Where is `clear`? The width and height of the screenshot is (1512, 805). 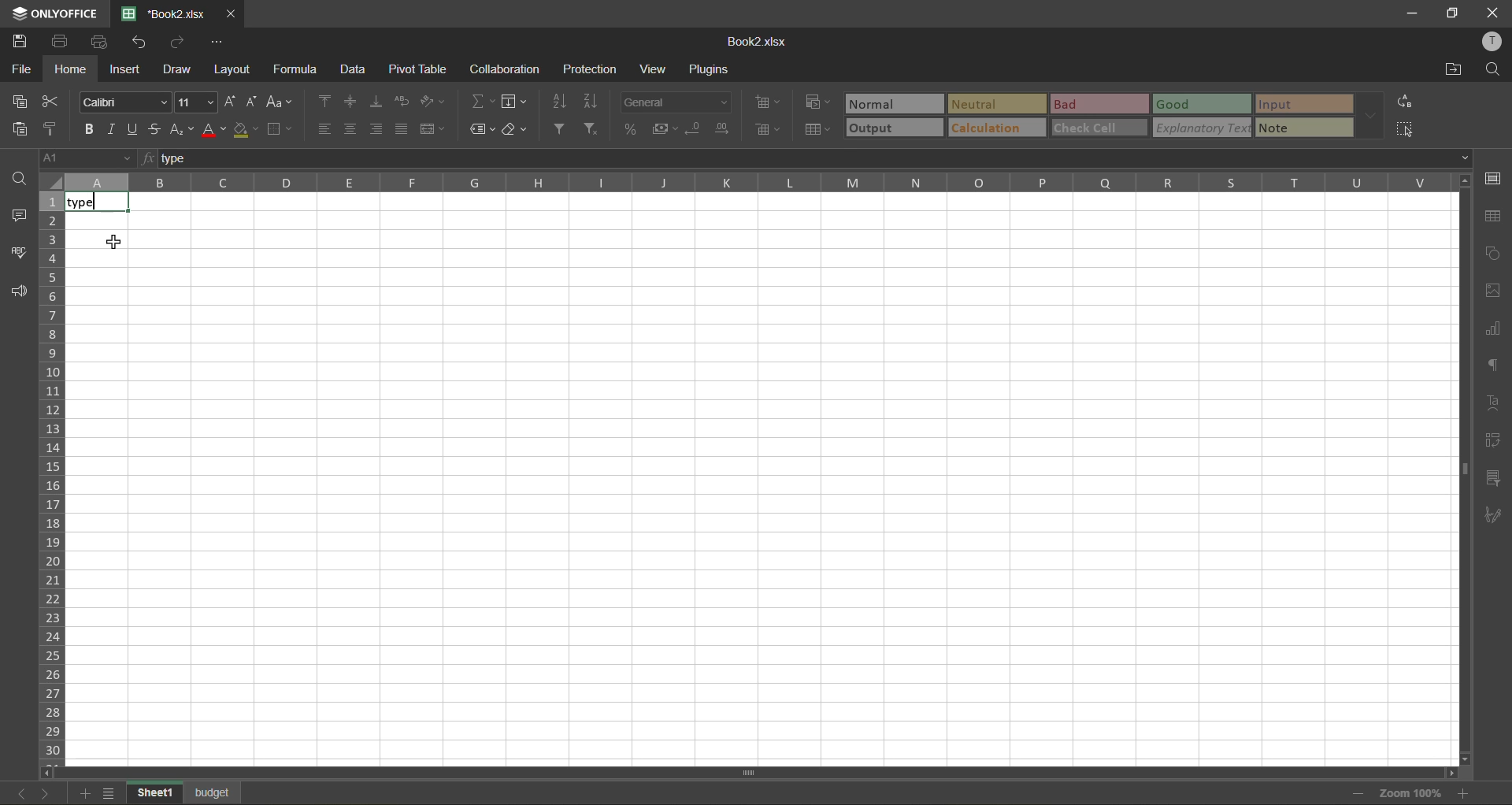
clear is located at coordinates (517, 128).